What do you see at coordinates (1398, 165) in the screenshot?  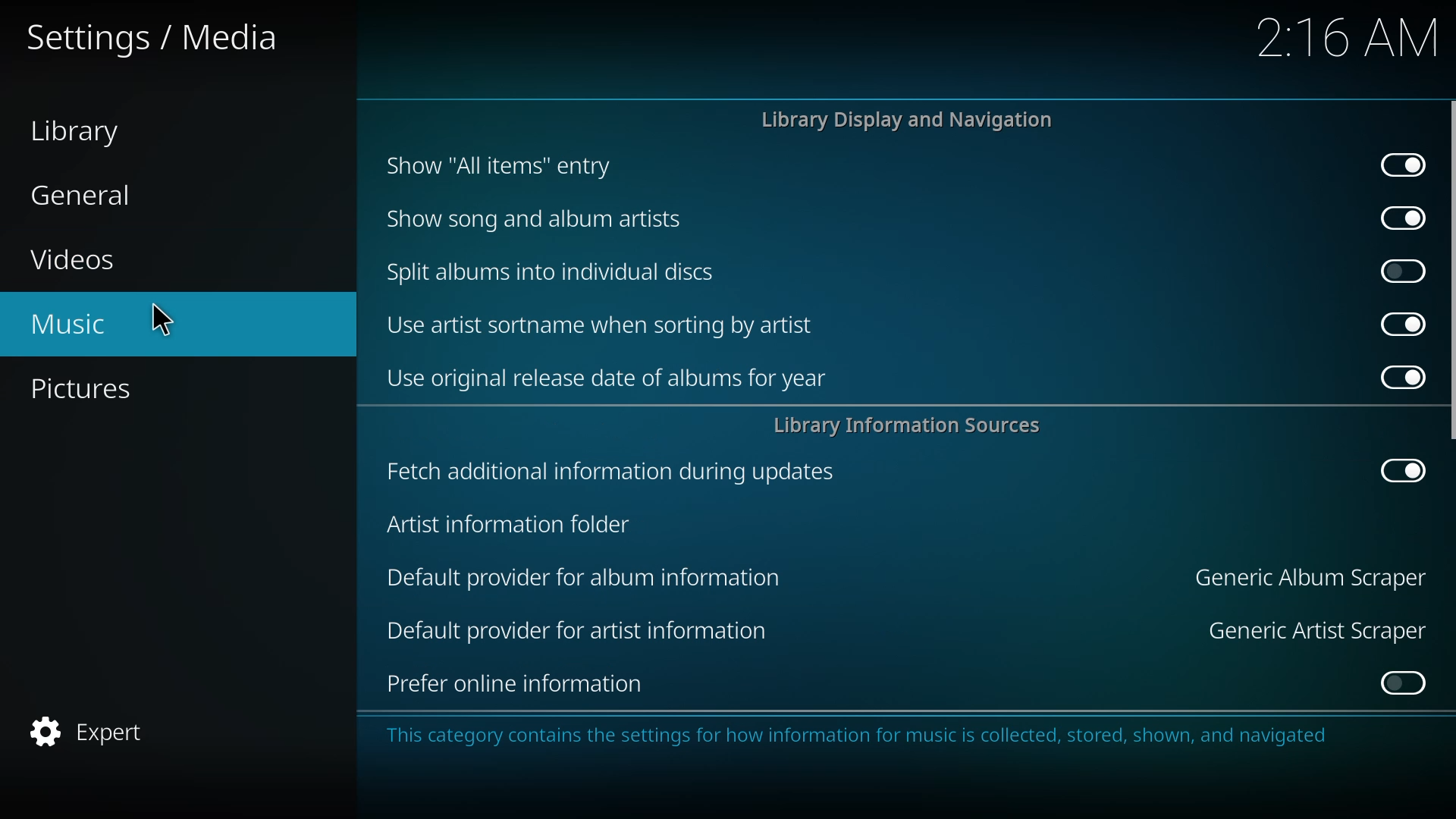 I see `enabled` at bounding box center [1398, 165].